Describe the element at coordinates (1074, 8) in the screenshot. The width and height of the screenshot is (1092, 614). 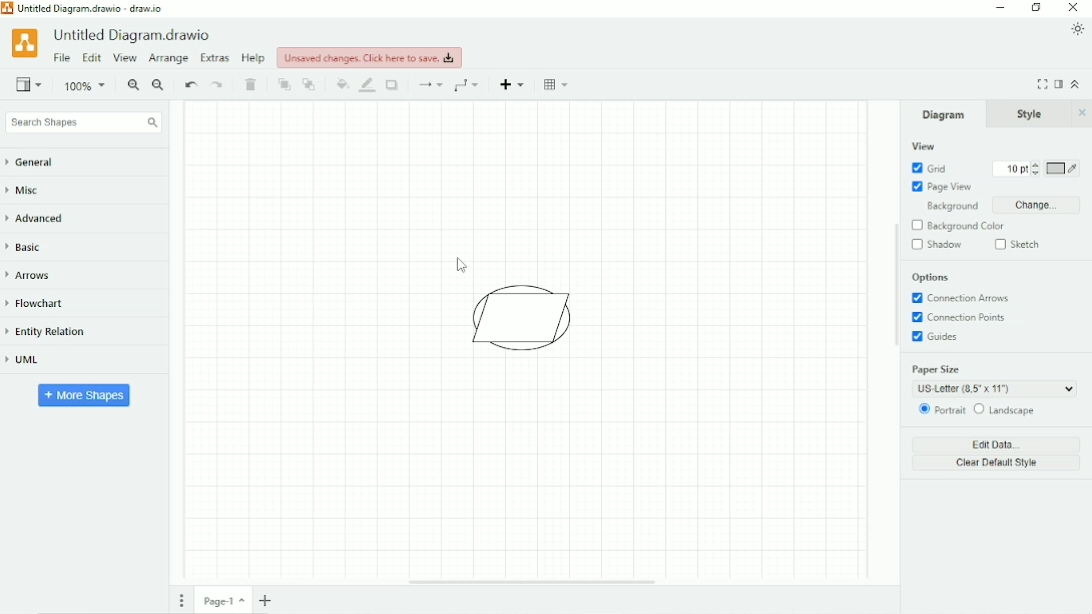
I see `Close` at that location.